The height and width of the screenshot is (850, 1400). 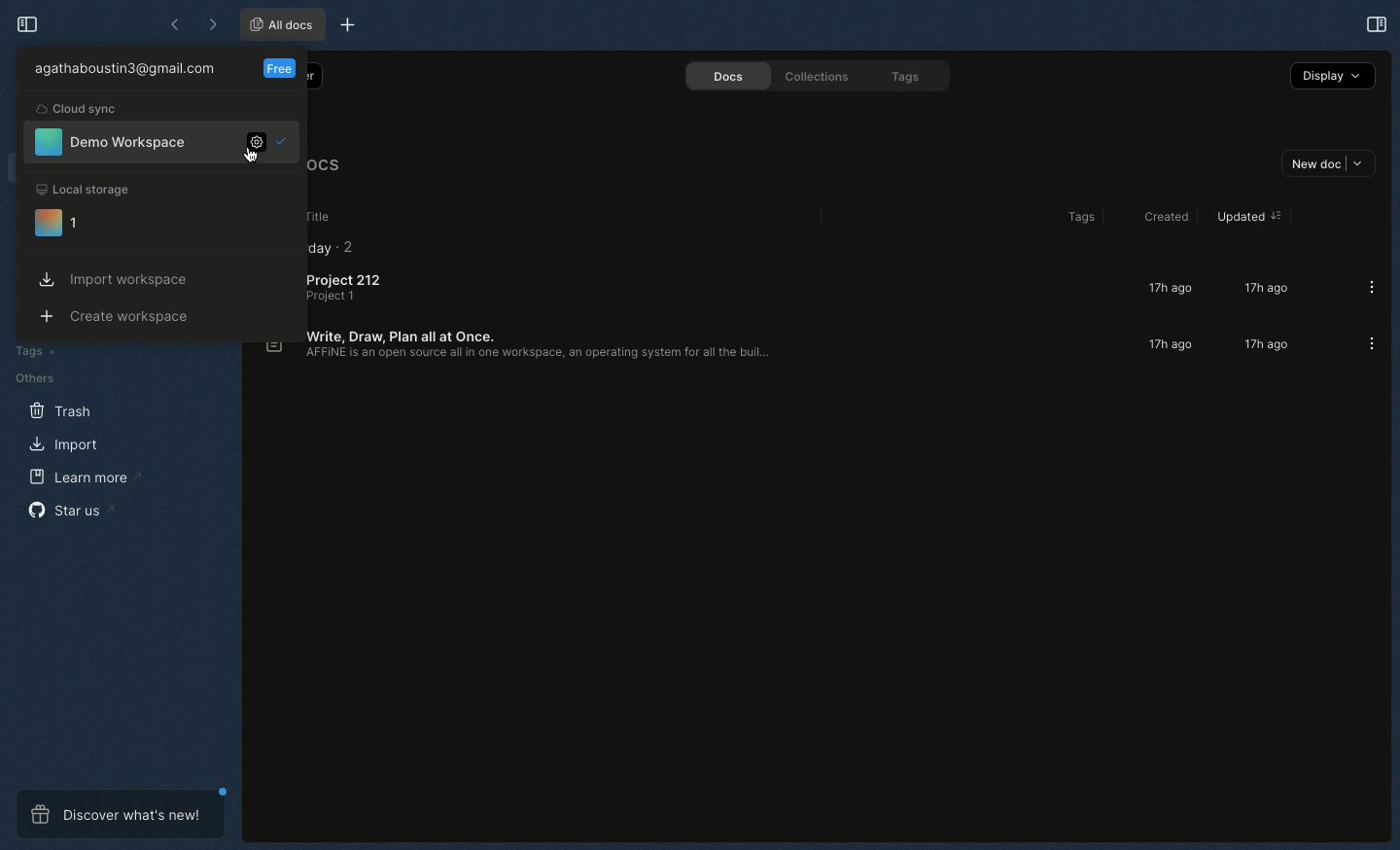 What do you see at coordinates (118, 812) in the screenshot?
I see `Discover what's new!` at bounding box center [118, 812].